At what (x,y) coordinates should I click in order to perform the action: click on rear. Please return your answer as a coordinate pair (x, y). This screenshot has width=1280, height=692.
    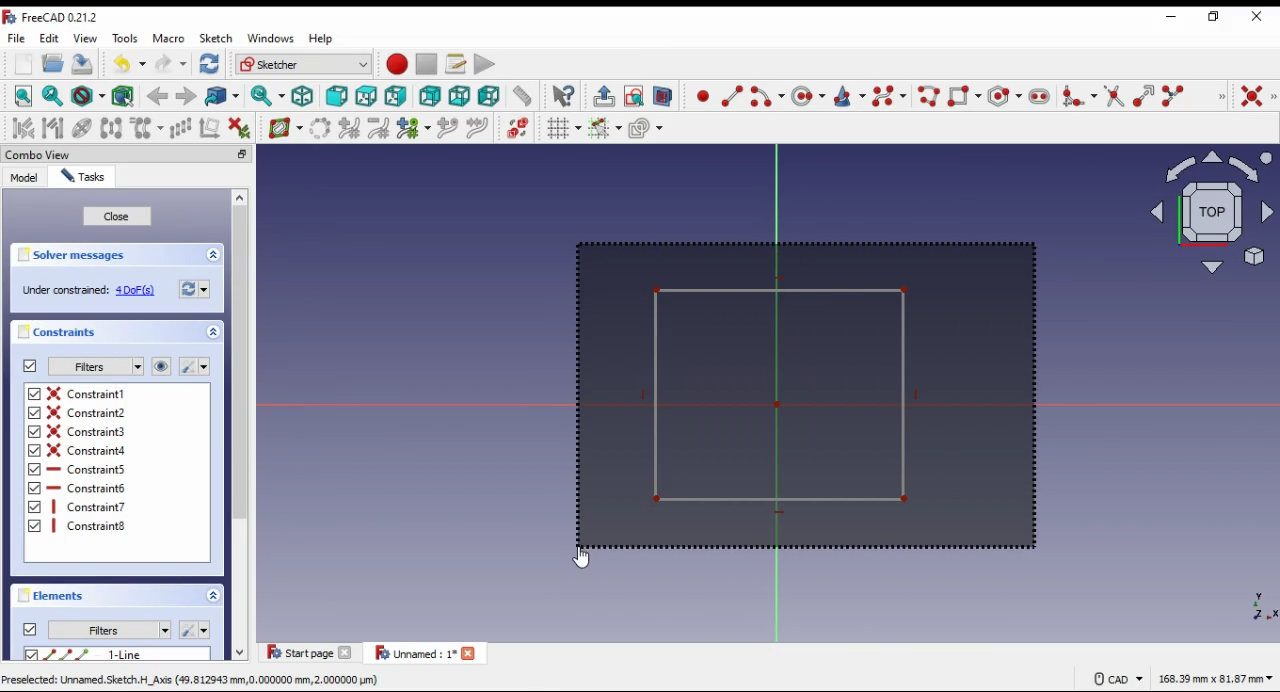
    Looking at the image, I should click on (431, 96).